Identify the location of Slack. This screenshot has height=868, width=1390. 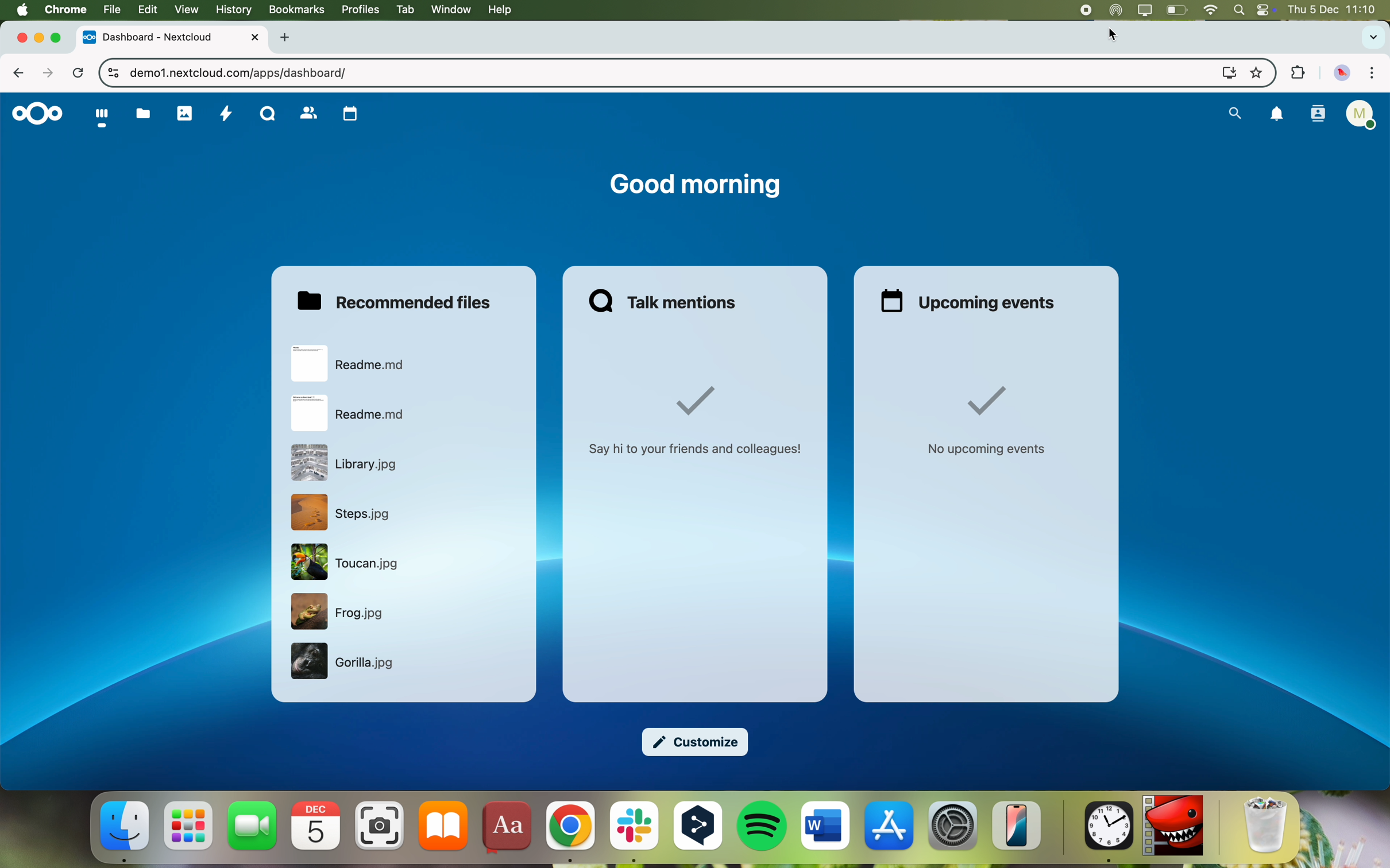
(633, 834).